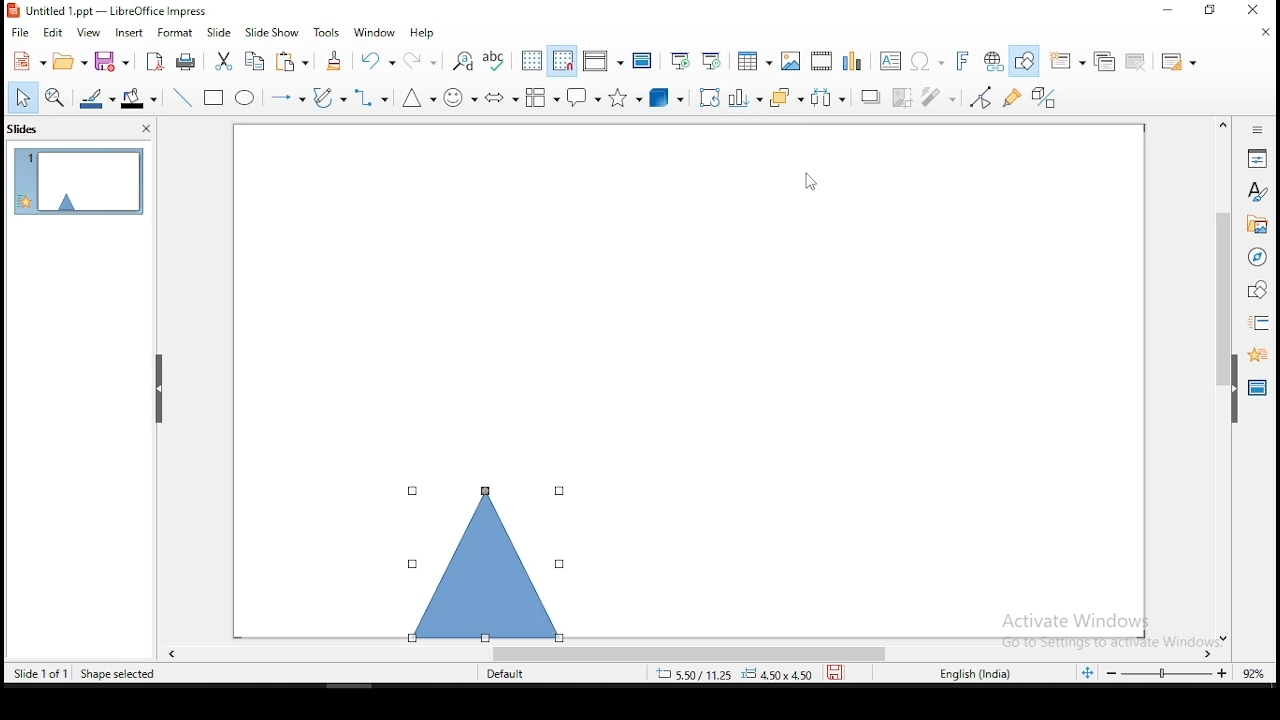  I want to click on navigator, so click(1259, 260).